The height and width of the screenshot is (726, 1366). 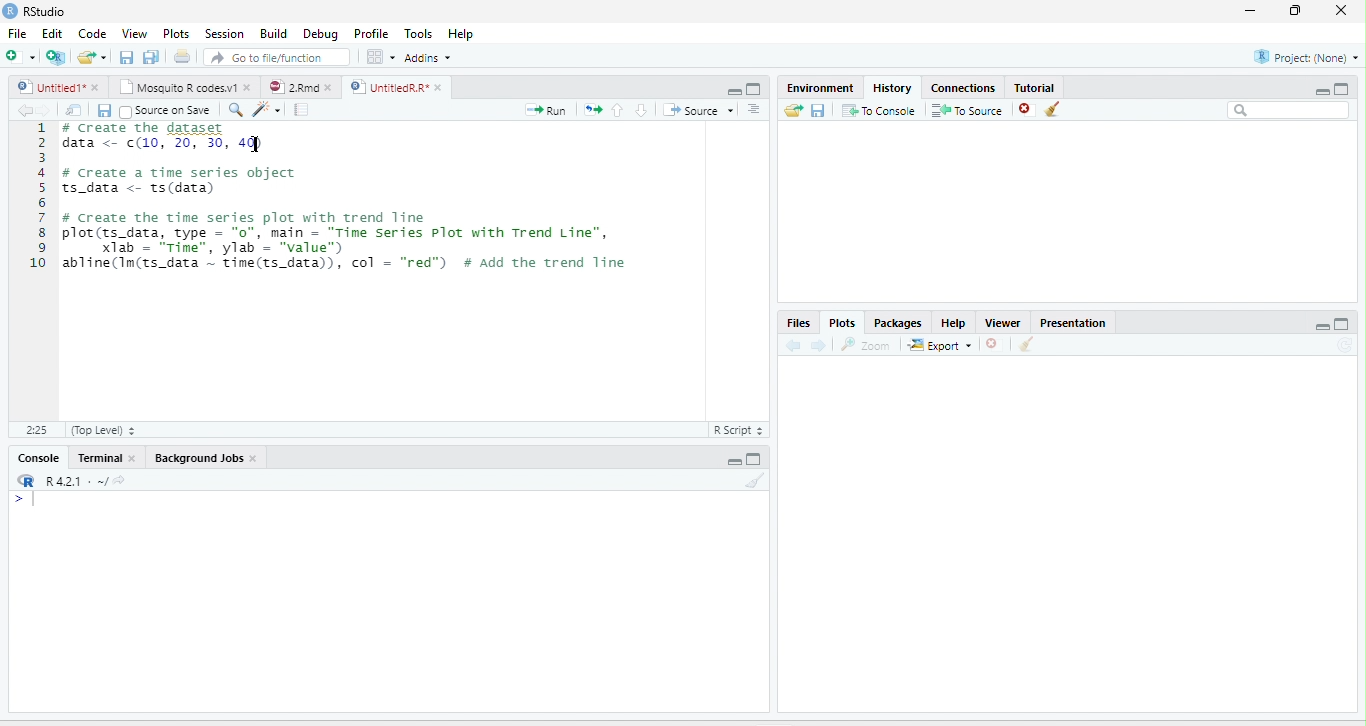 What do you see at coordinates (799, 323) in the screenshot?
I see `Files` at bounding box center [799, 323].